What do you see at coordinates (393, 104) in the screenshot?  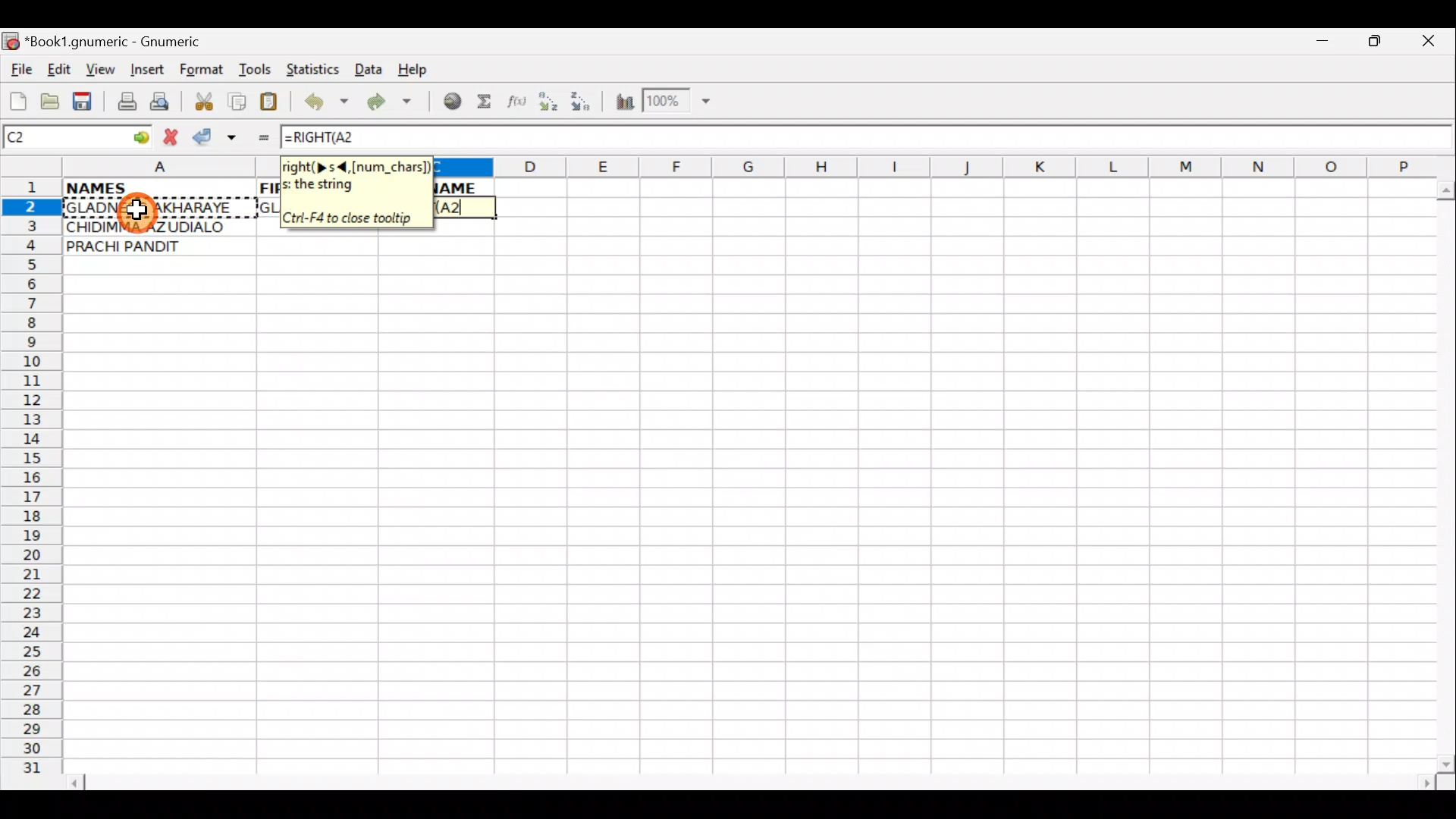 I see `Redo undone action` at bounding box center [393, 104].